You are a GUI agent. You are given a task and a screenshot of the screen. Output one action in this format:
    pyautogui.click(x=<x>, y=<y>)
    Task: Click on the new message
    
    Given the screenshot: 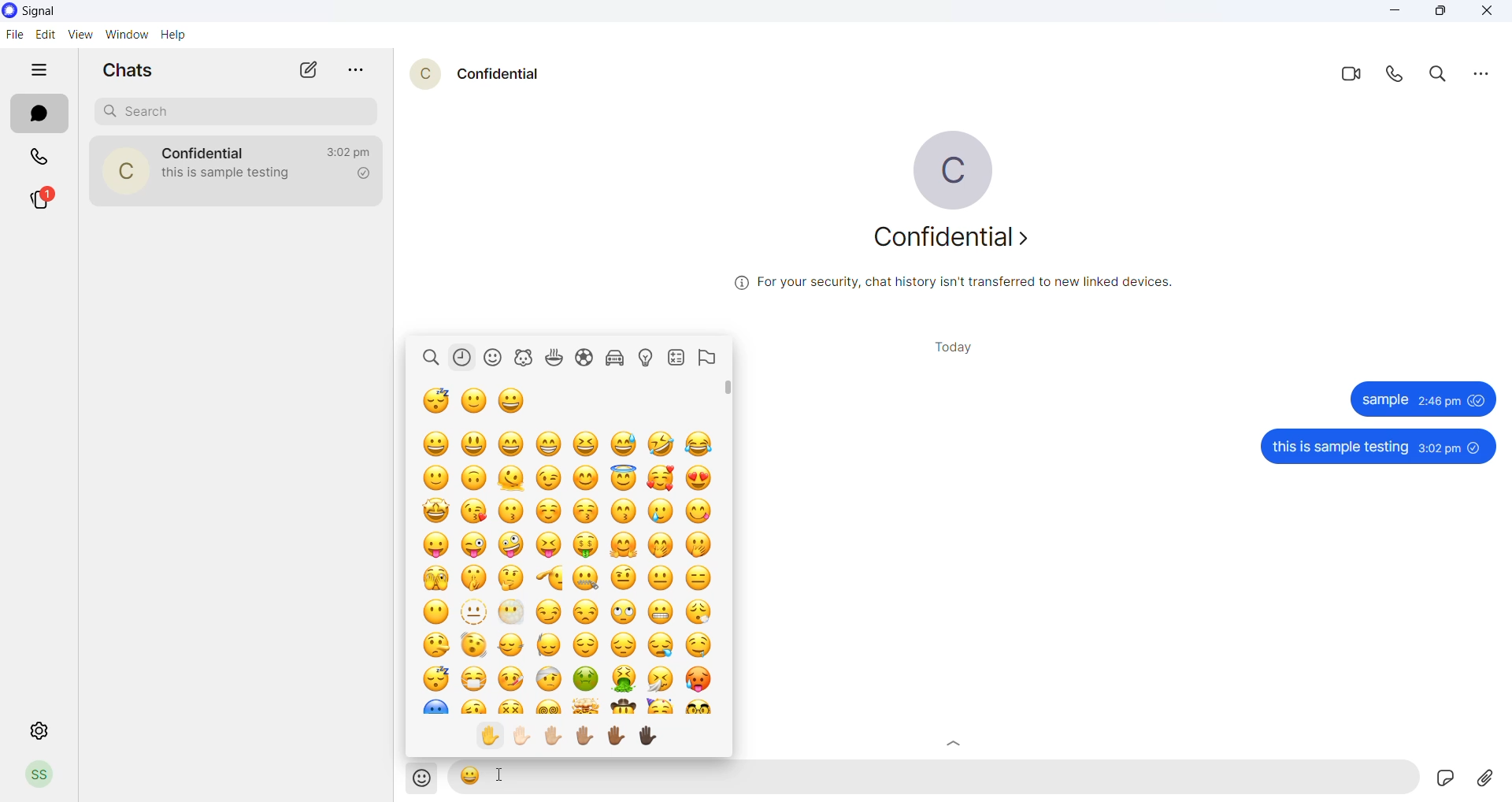 What is the action you would take?
    pyautogui.click(x=311, y=69)
    